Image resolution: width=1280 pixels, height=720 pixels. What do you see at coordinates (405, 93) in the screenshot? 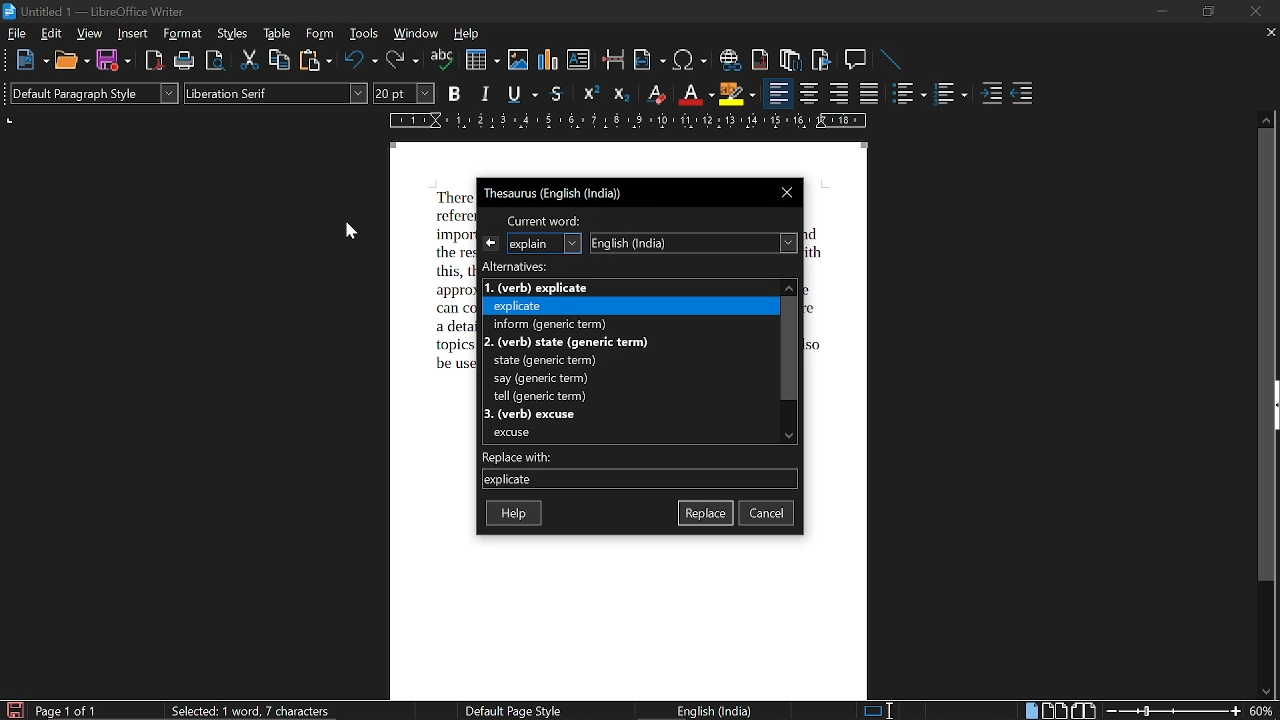
I see `font size` at bounding box center [405, 93].